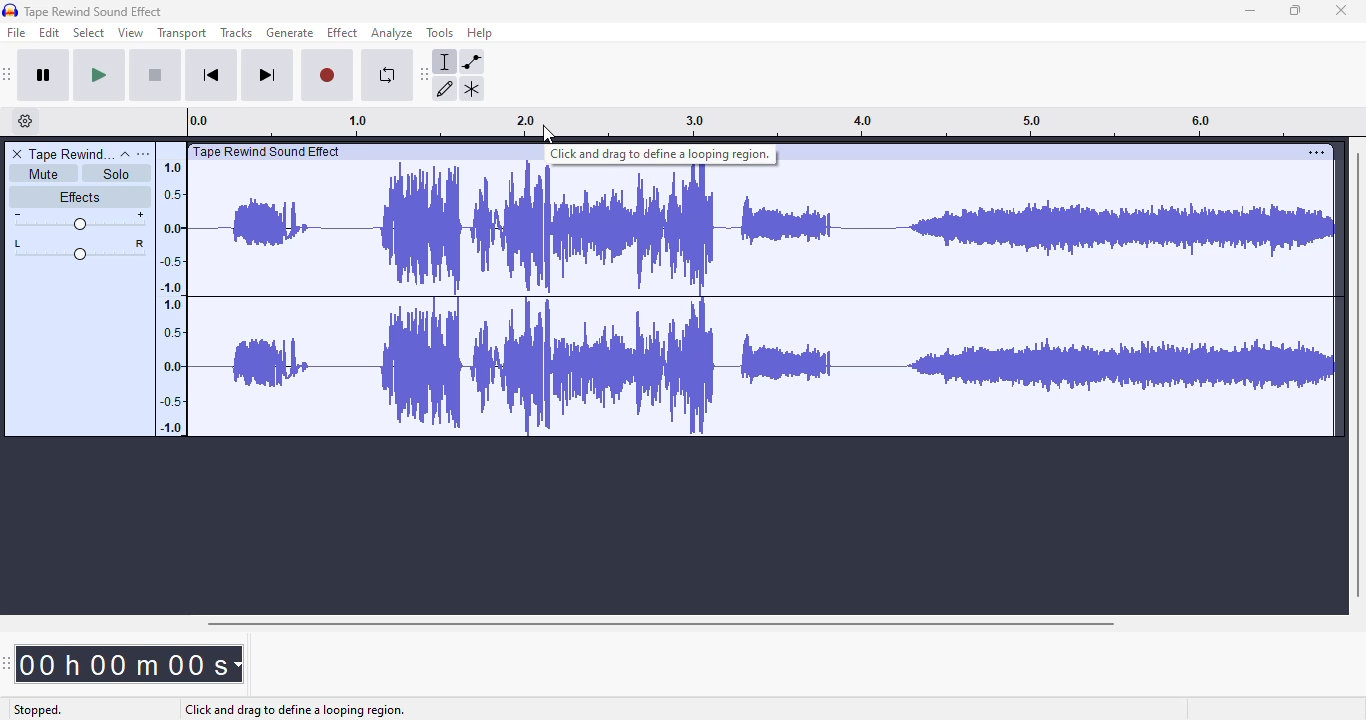 The width and height of the screenshot is (1366, 720). What do you see at coordinates (212, 75) in the screenshot?
I see `skip to start` at bounding box center [212, 75].